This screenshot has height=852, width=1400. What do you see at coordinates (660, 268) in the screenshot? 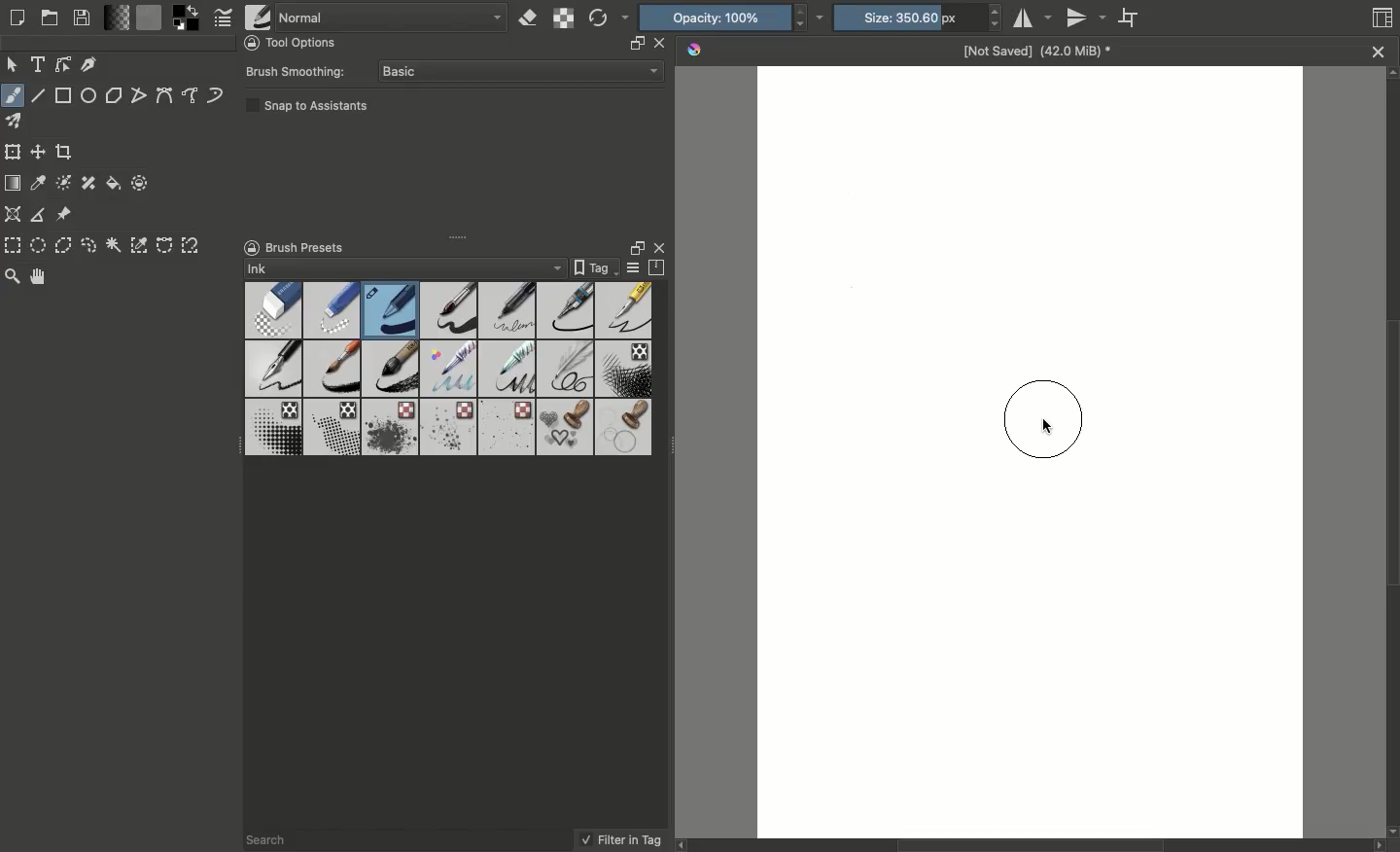
I see `Storage resources` at bounding box center [660, 268].